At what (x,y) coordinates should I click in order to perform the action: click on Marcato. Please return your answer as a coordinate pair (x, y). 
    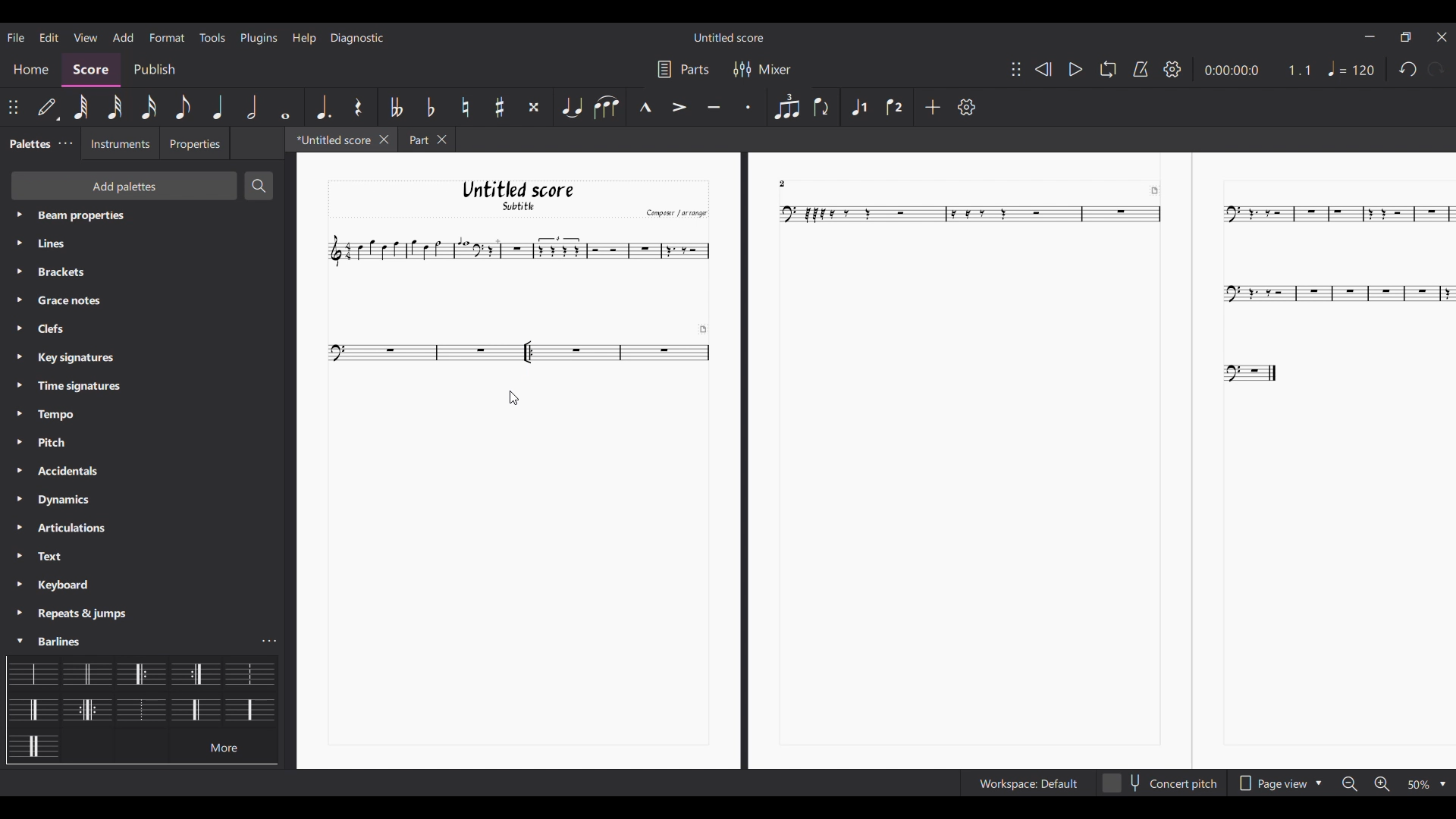
    Looking at the image, I should click on (645, 106).